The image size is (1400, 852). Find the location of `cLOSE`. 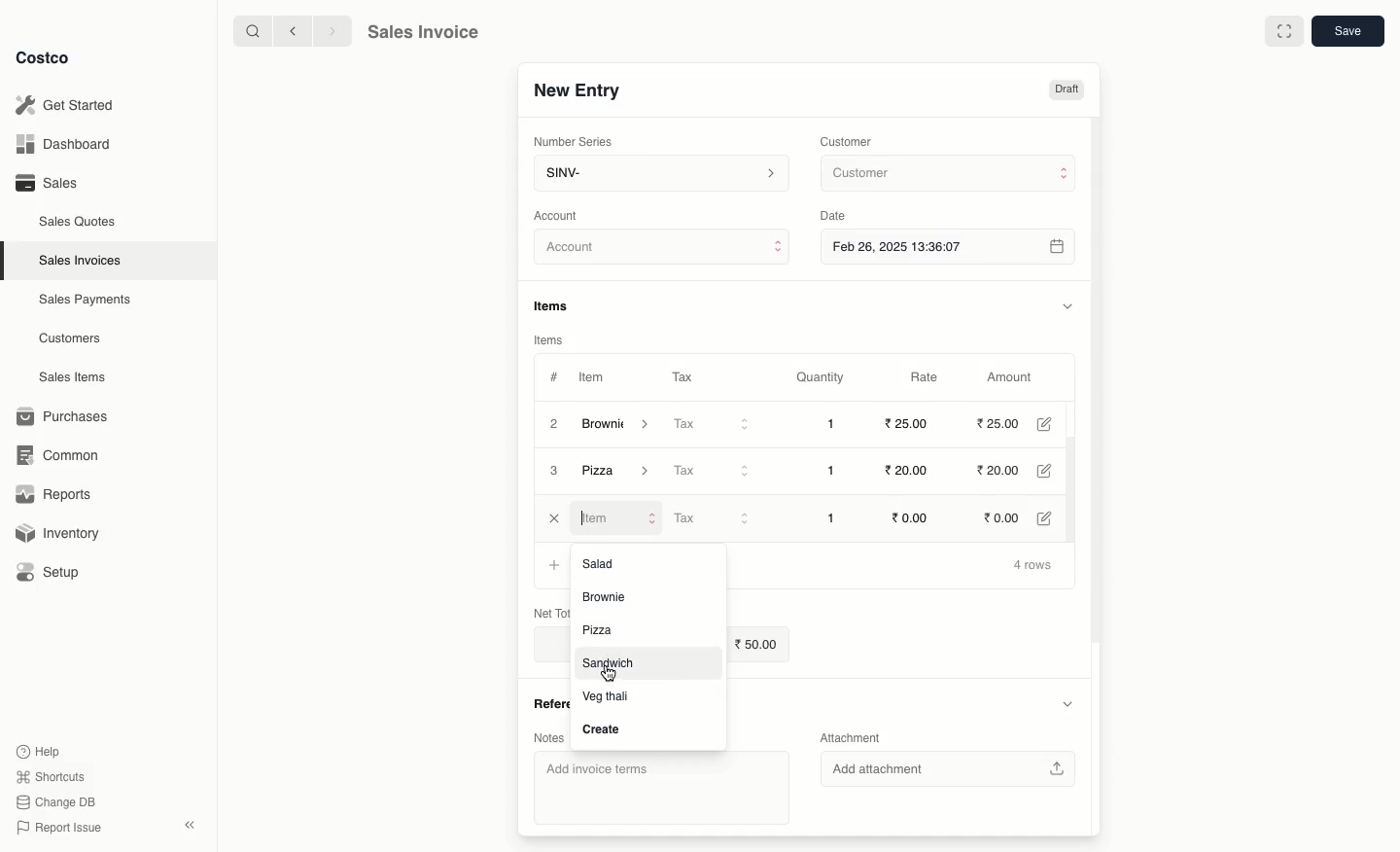

cLOSE is located at coordinates (554, 518).